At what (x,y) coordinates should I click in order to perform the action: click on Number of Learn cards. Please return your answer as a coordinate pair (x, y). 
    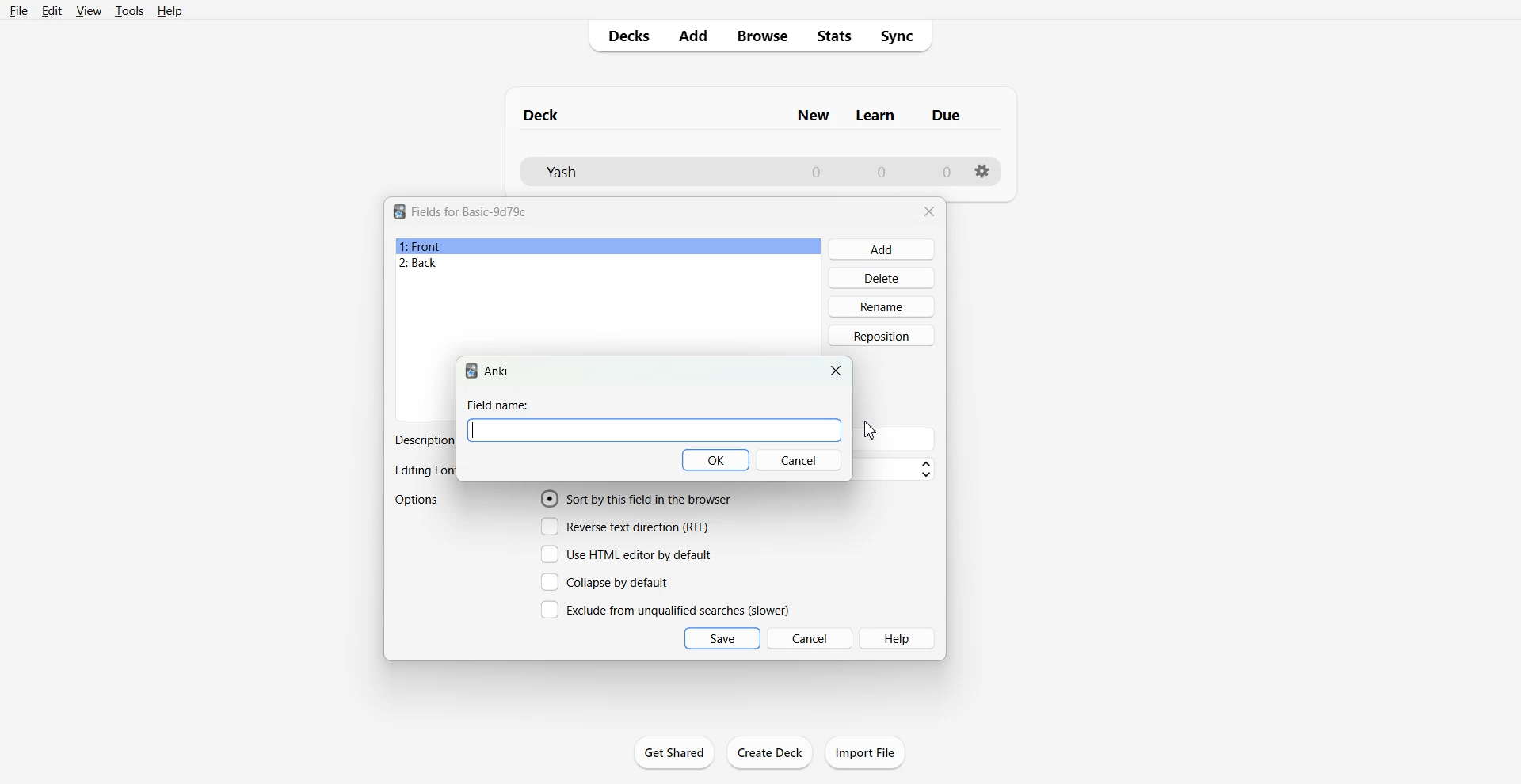
    Looking at the image, I should click on (882, 171).